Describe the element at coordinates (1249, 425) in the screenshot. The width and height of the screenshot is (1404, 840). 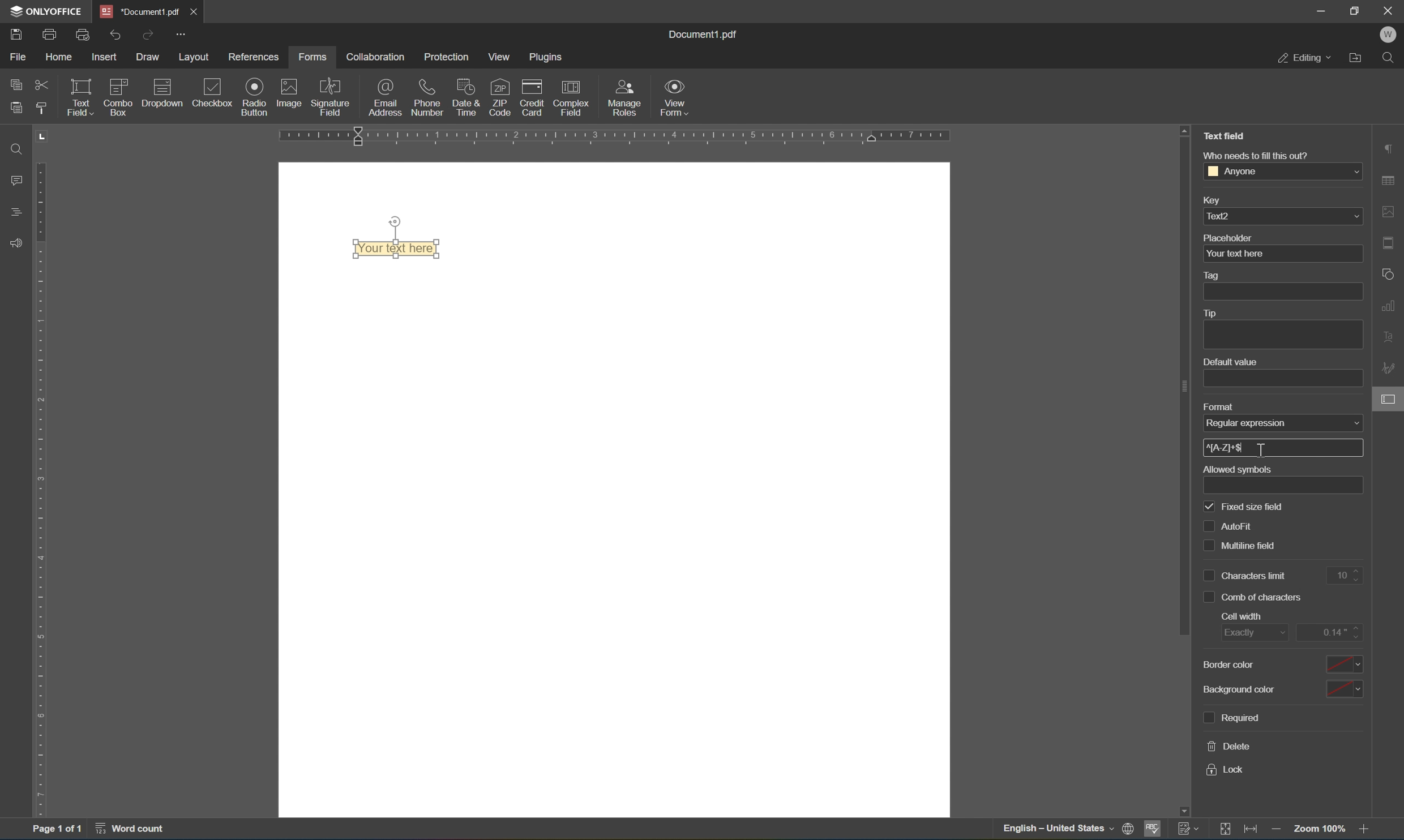
I see `regular expression` at that location.